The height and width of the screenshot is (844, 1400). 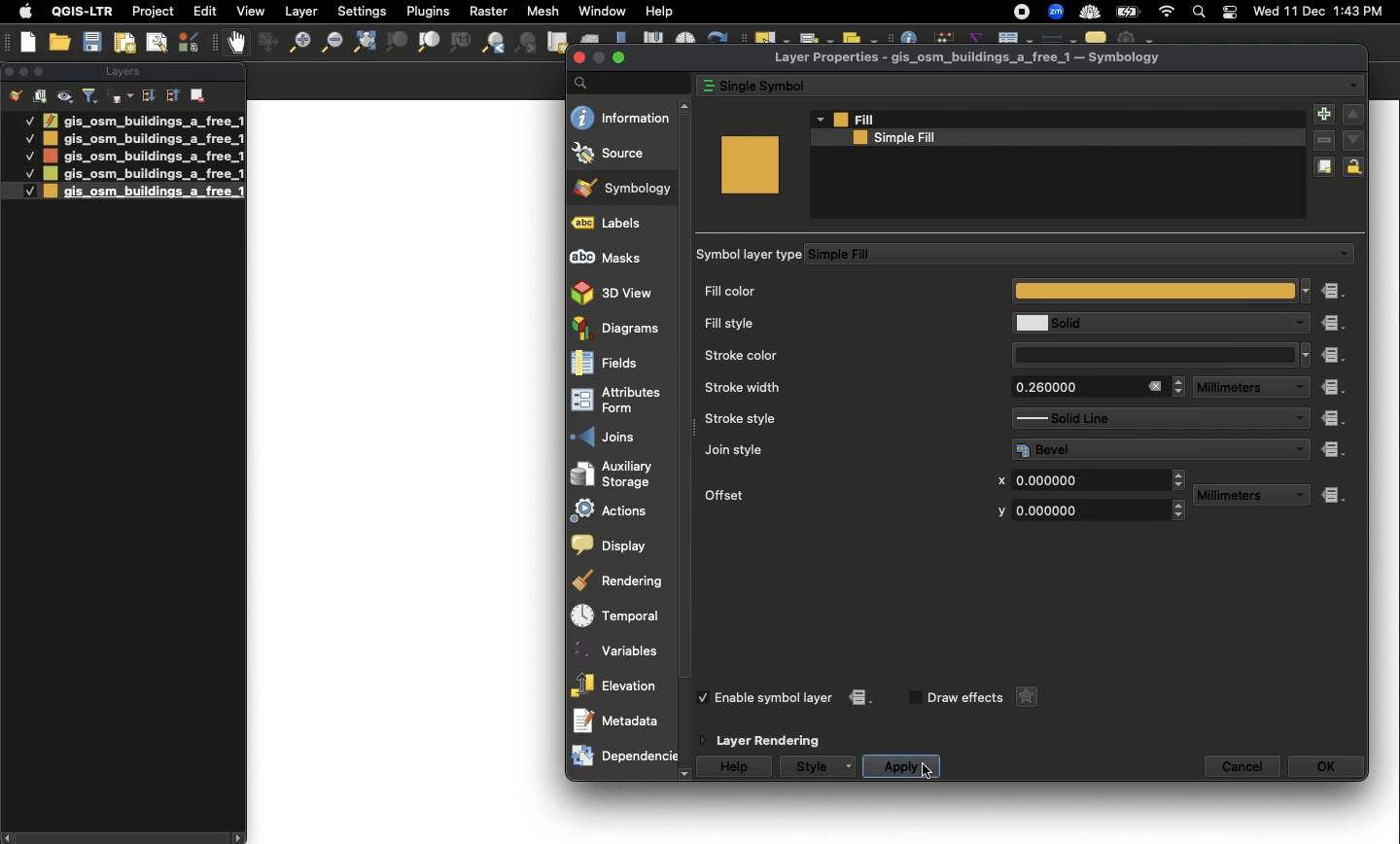 What do you see at coordinates (1243, 766) in the screenshot?
I see `Cancel` at bounding box center [1243, 766].